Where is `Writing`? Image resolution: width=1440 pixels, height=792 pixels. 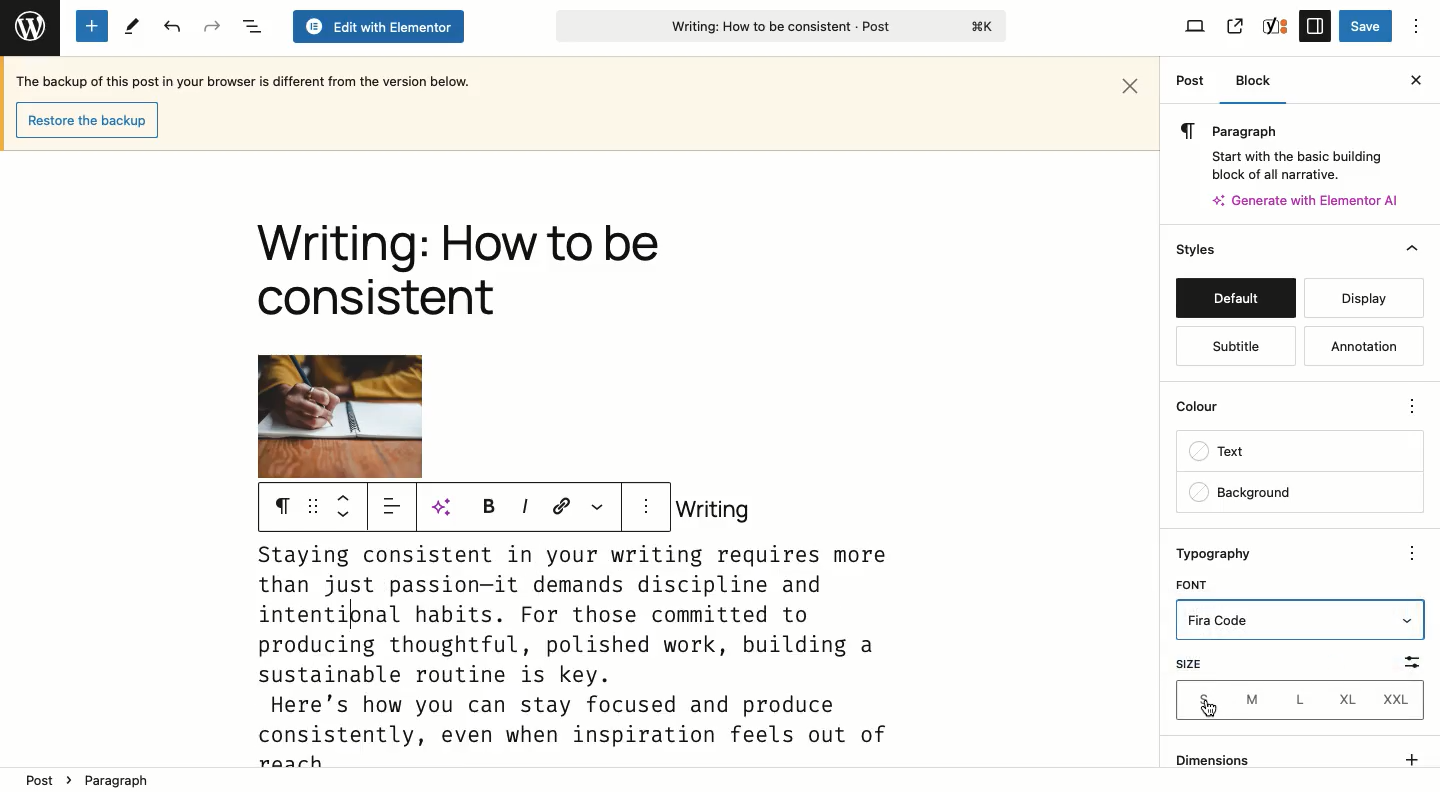 Writing is located at coordinates (713, 509).